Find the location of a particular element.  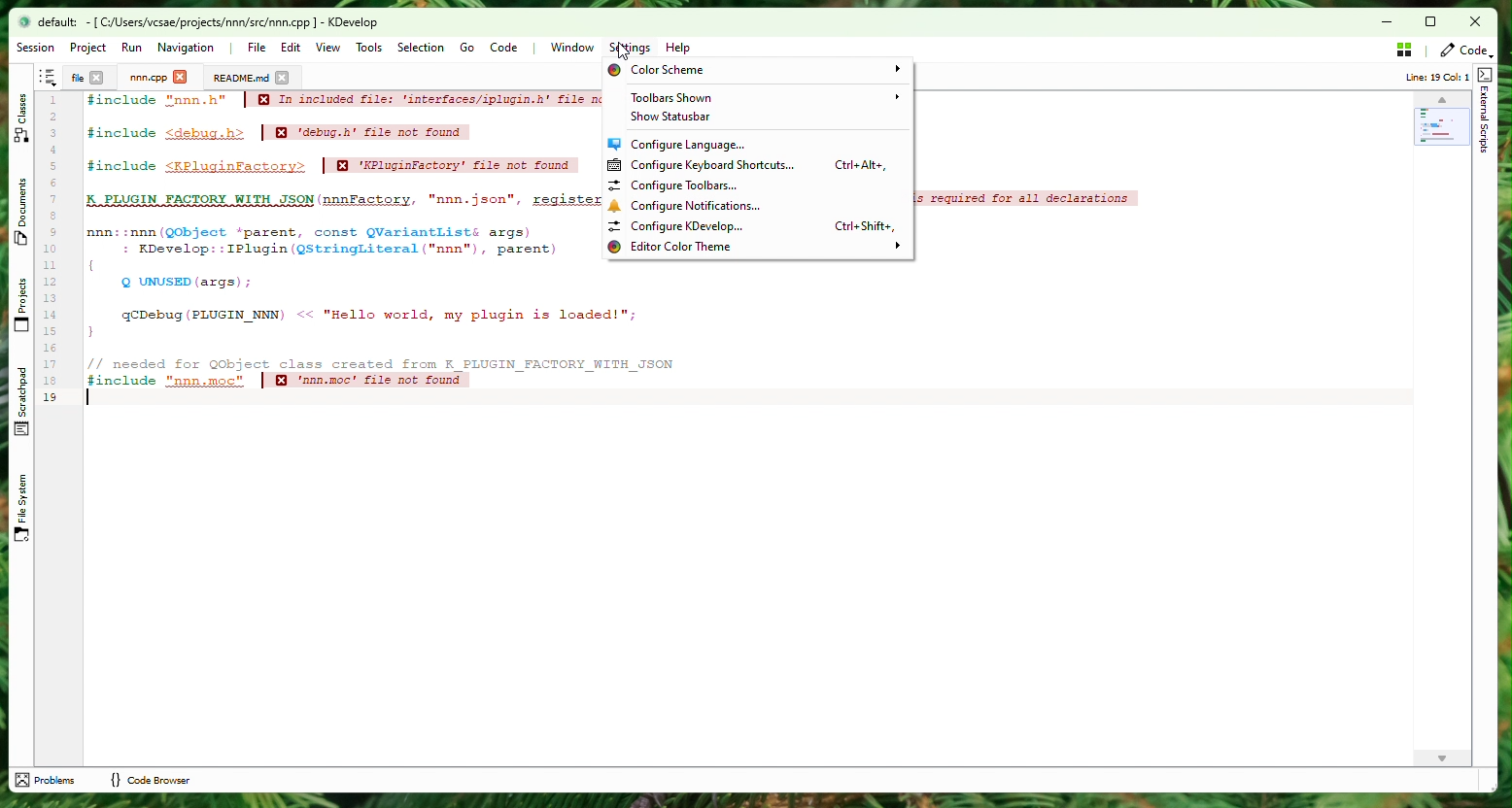

4 is located at coordinates (53, 150).